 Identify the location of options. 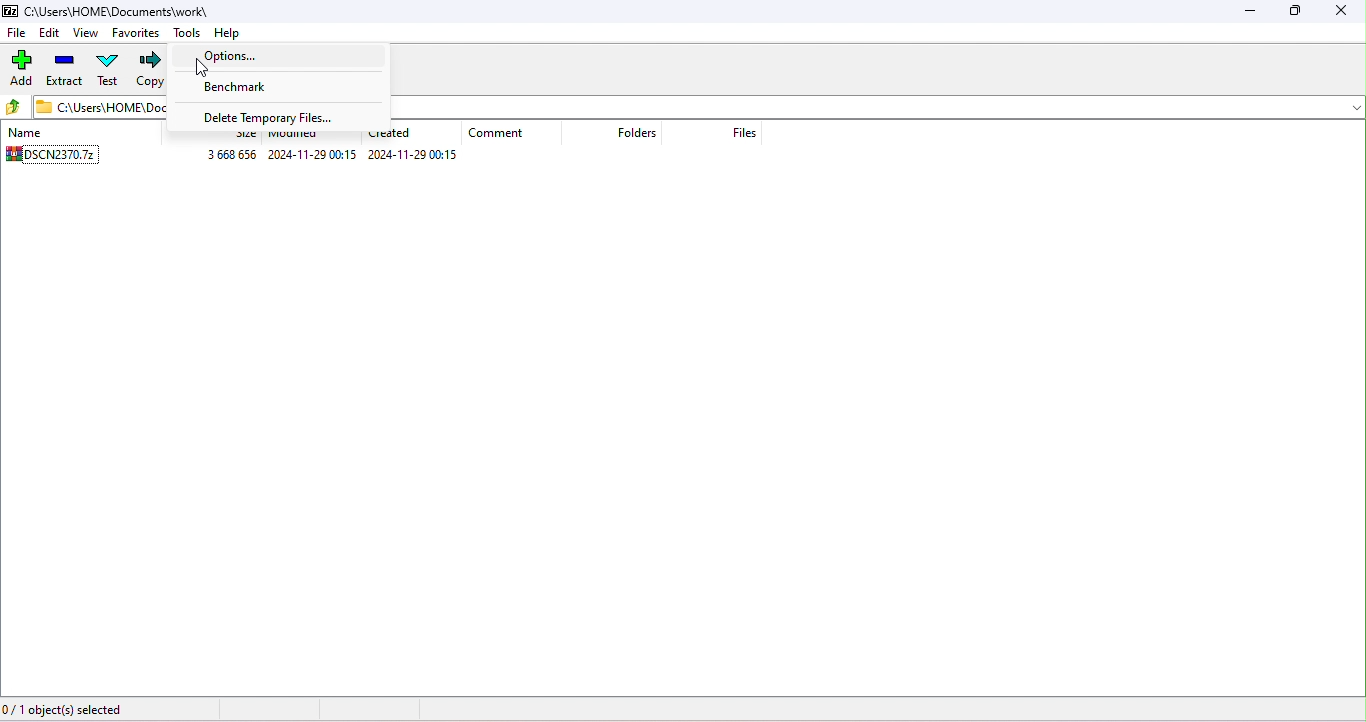
(241, 54).